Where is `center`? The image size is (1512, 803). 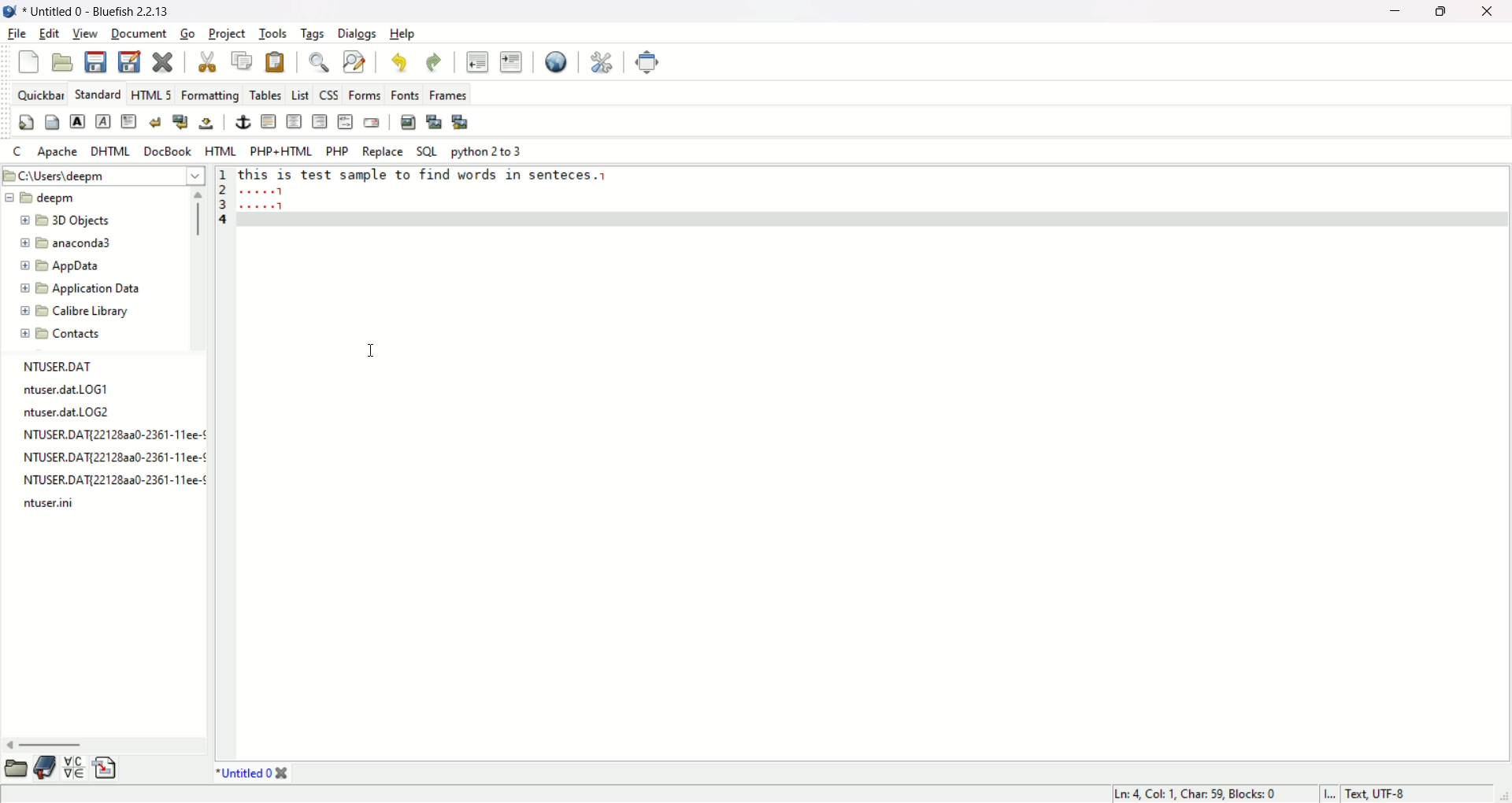
center is located at coordinates (295, 122).